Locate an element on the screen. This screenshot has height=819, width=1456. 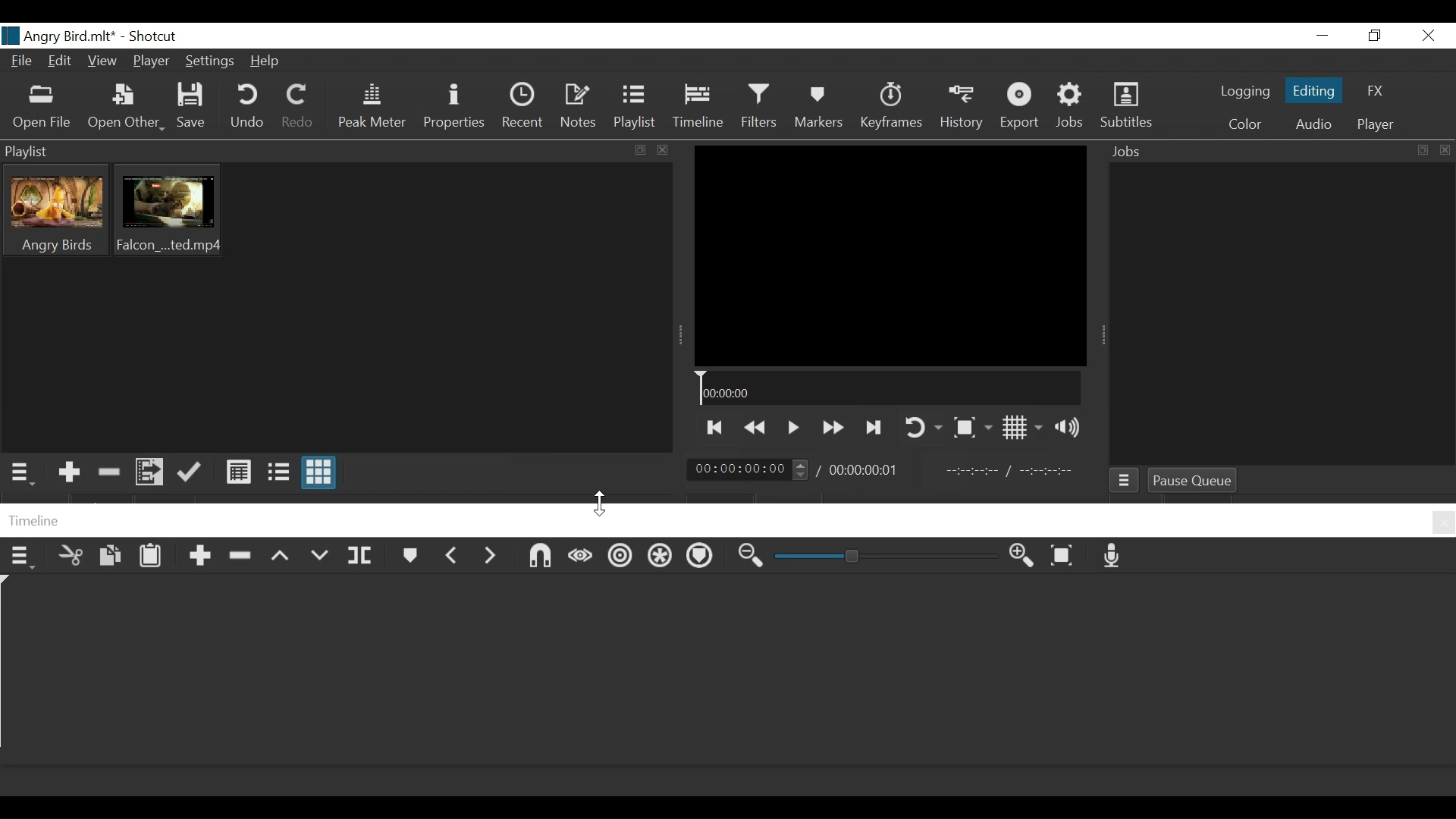
Record audio is located at coordinates (1112, 560).